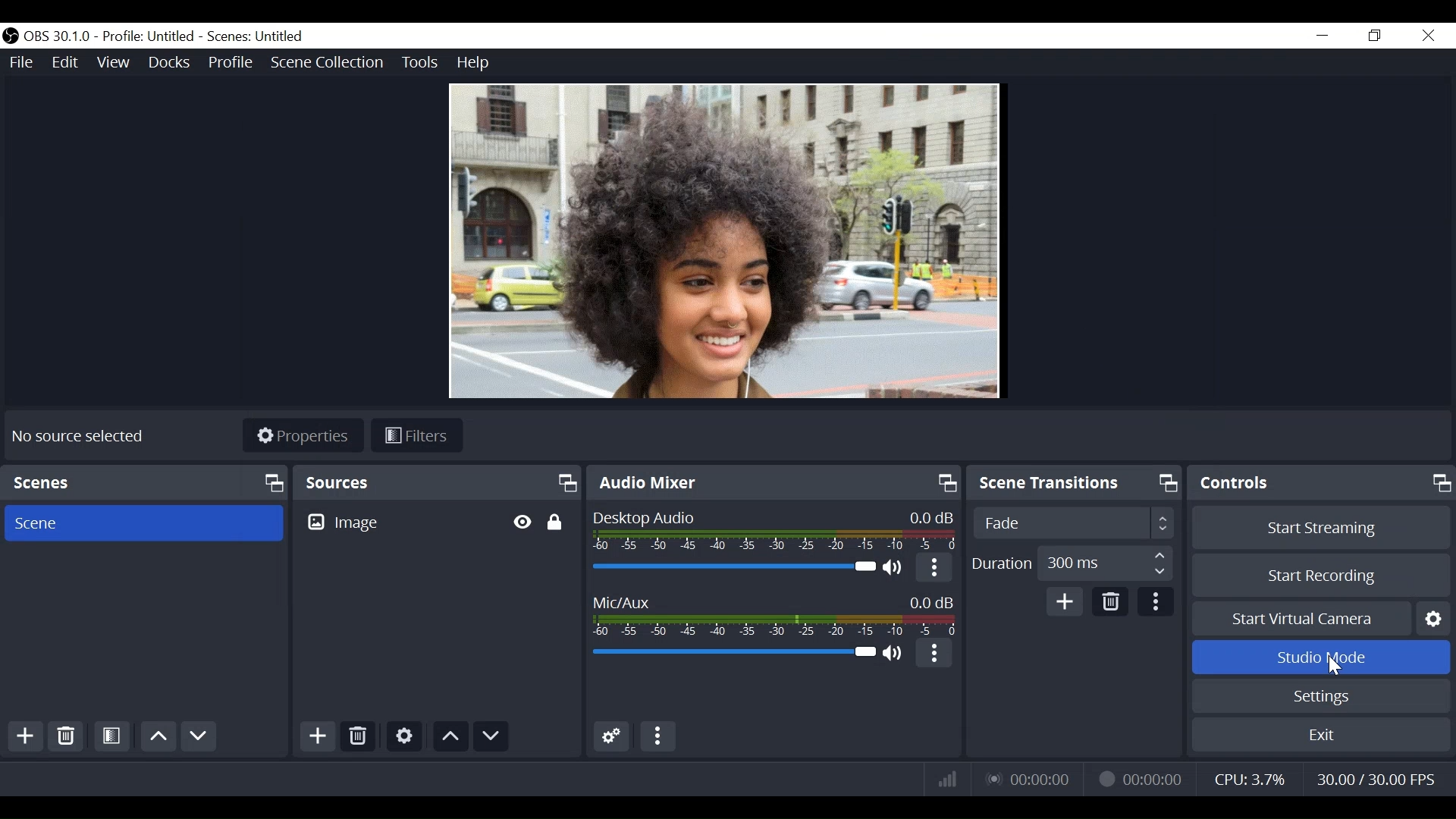 This screenshot has width=1456, height=819. Describe the element at coordinates (1428, 36) in the screenshot. I see `Close` at that location.